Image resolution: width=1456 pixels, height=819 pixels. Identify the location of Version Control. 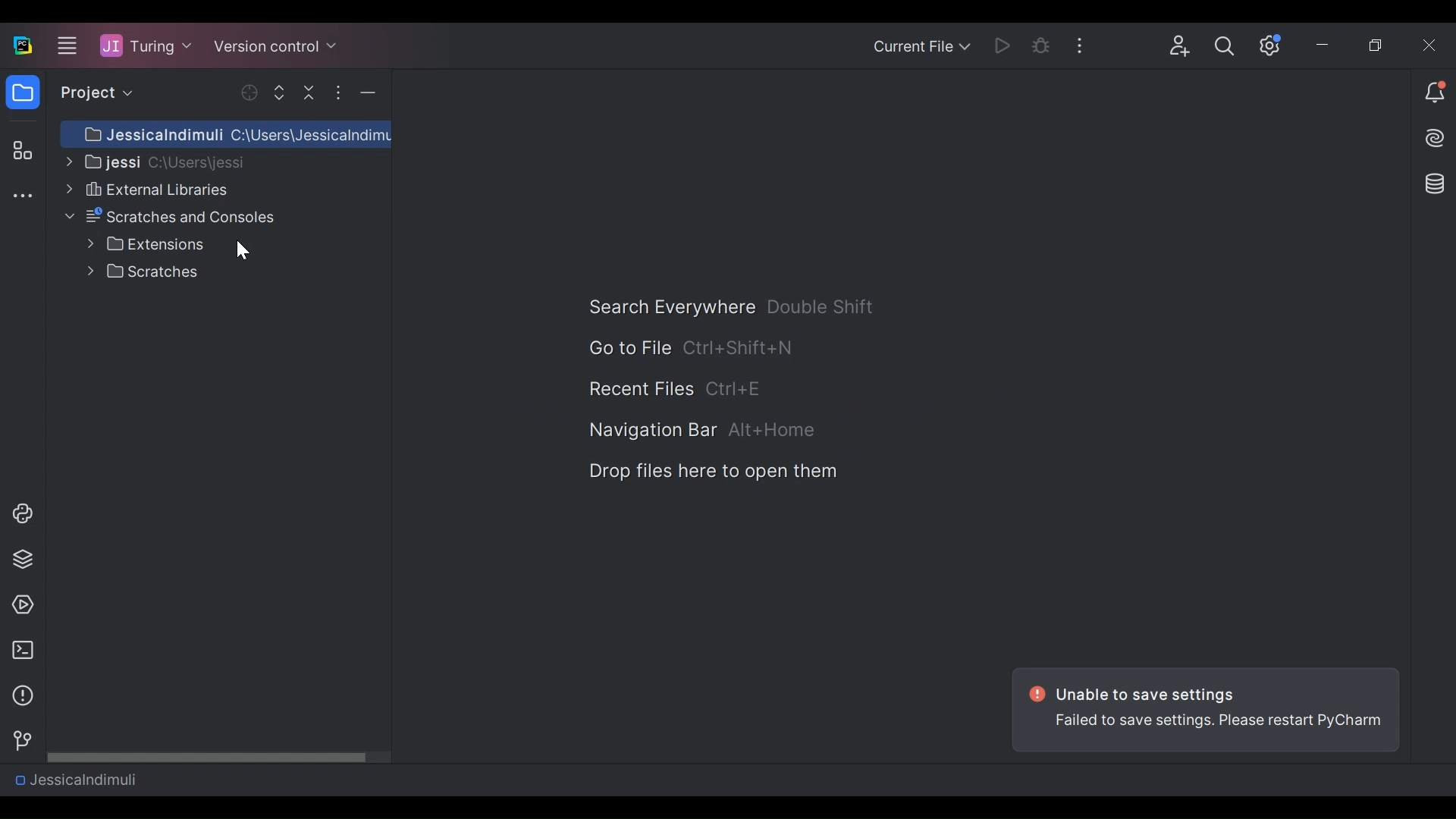
(276, 43).